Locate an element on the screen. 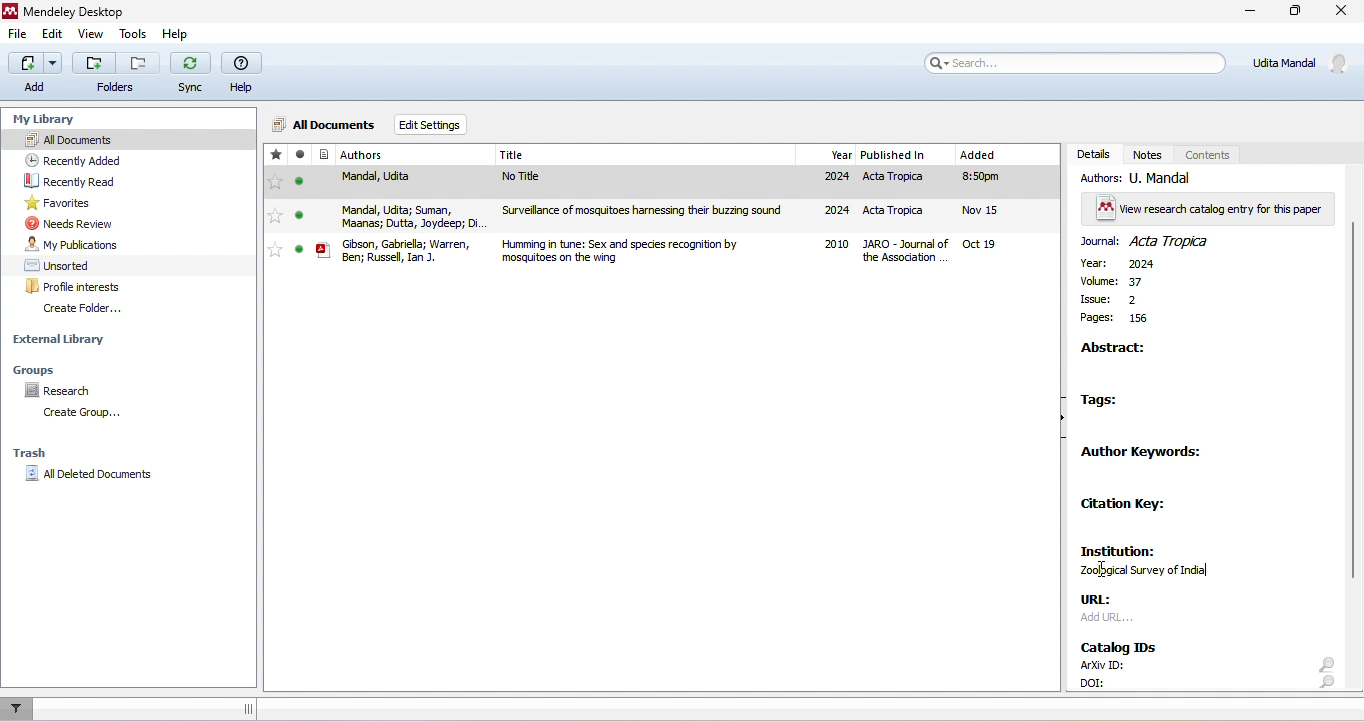 This screenshot has width=1364, height=722. no title is located at coordinates (646, 182).